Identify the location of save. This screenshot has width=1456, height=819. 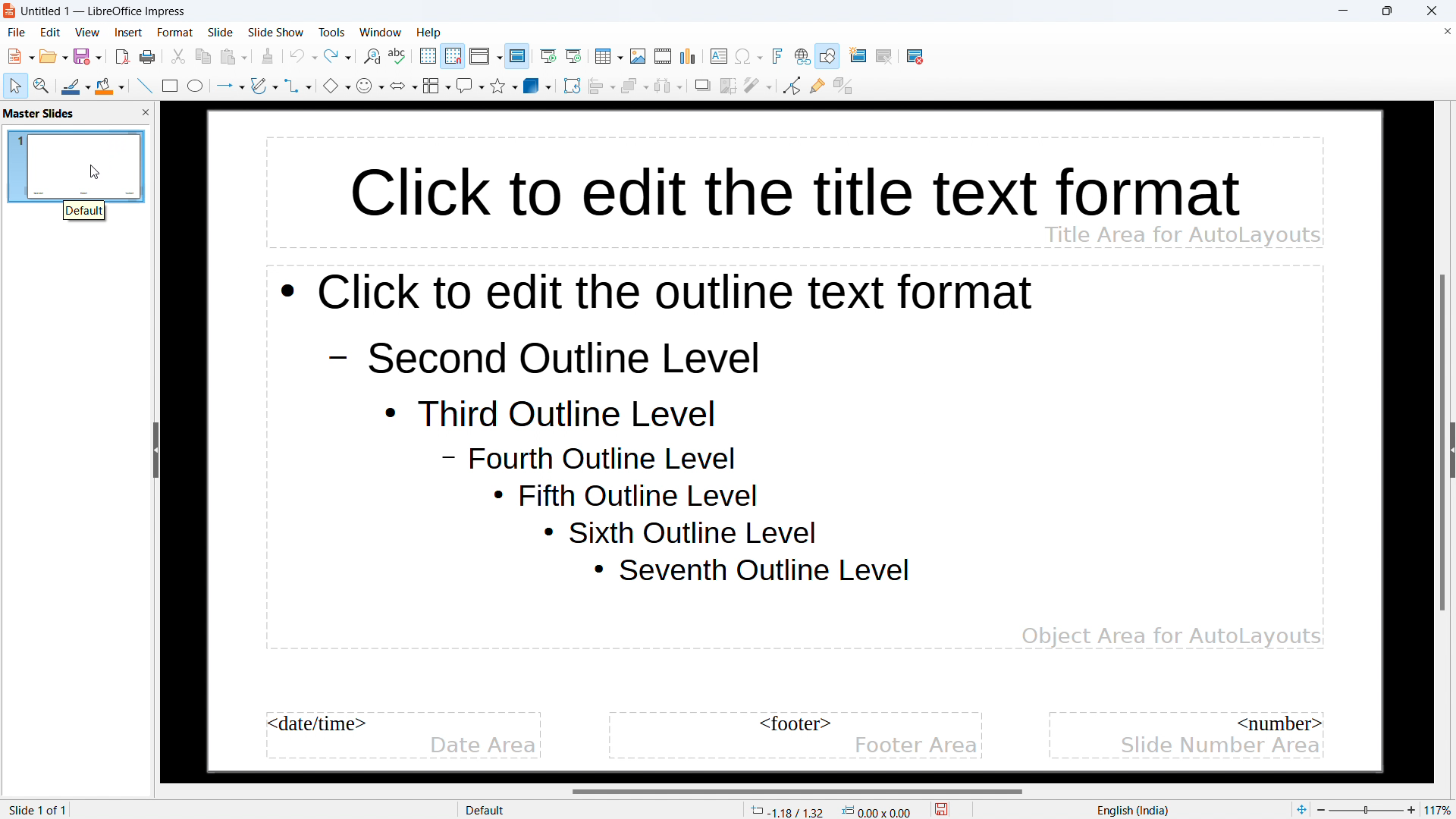
(942, 808).